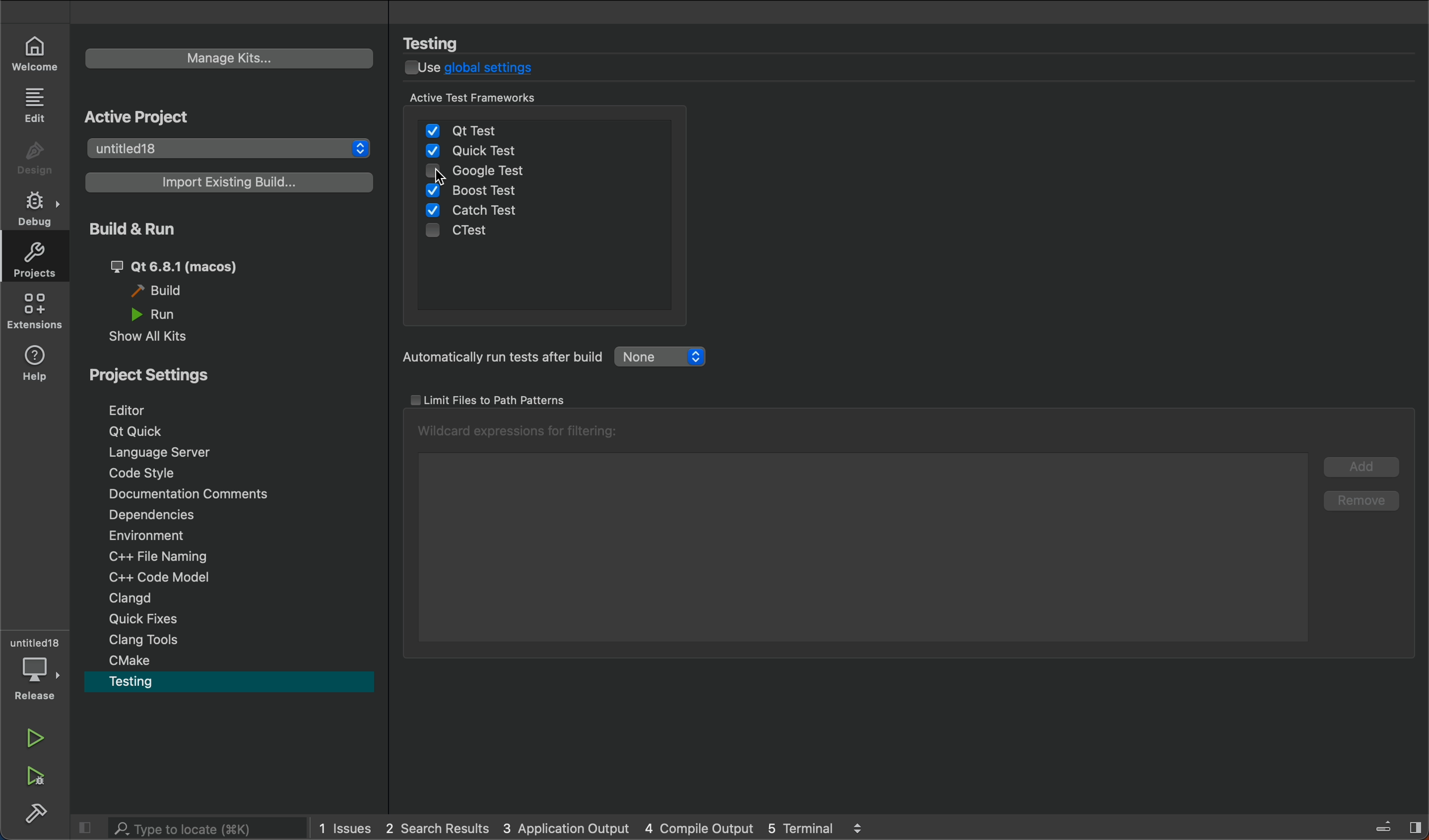 This screenshot has height=840, width=1429. I want to click on wild cards, so click(521, 431).